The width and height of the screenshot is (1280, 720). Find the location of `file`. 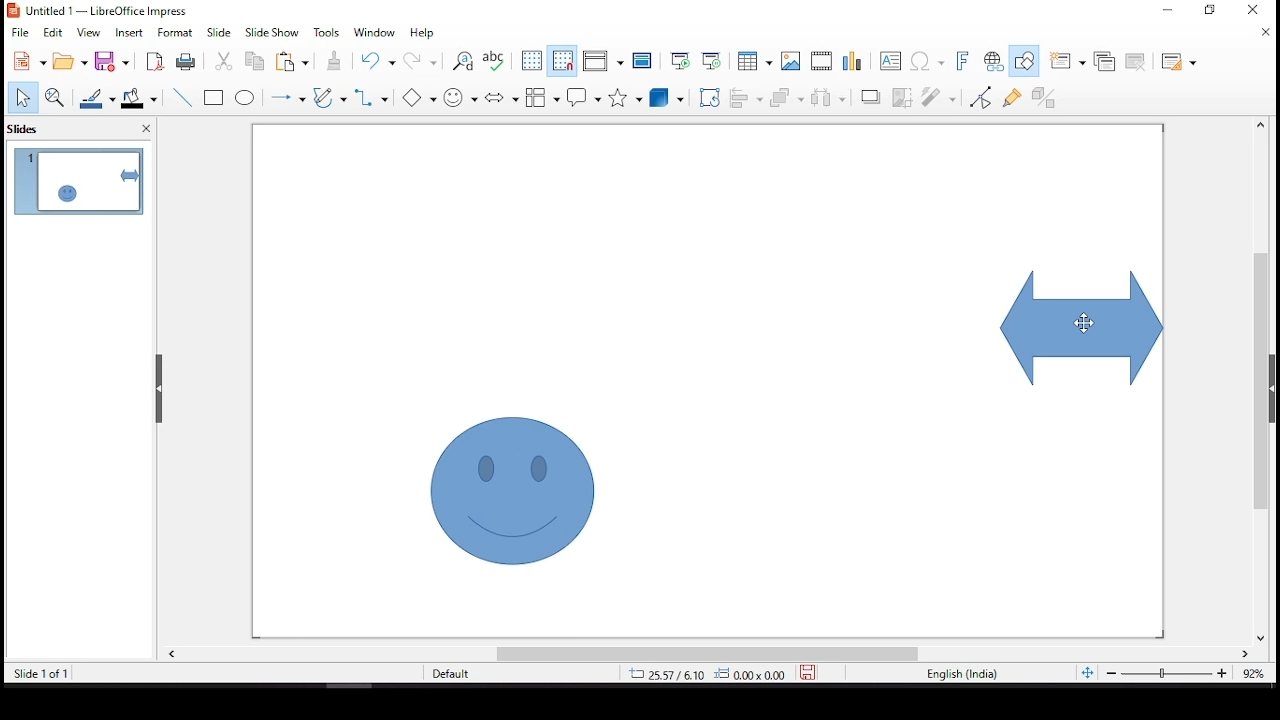

file is located at coordinates (20, 31).